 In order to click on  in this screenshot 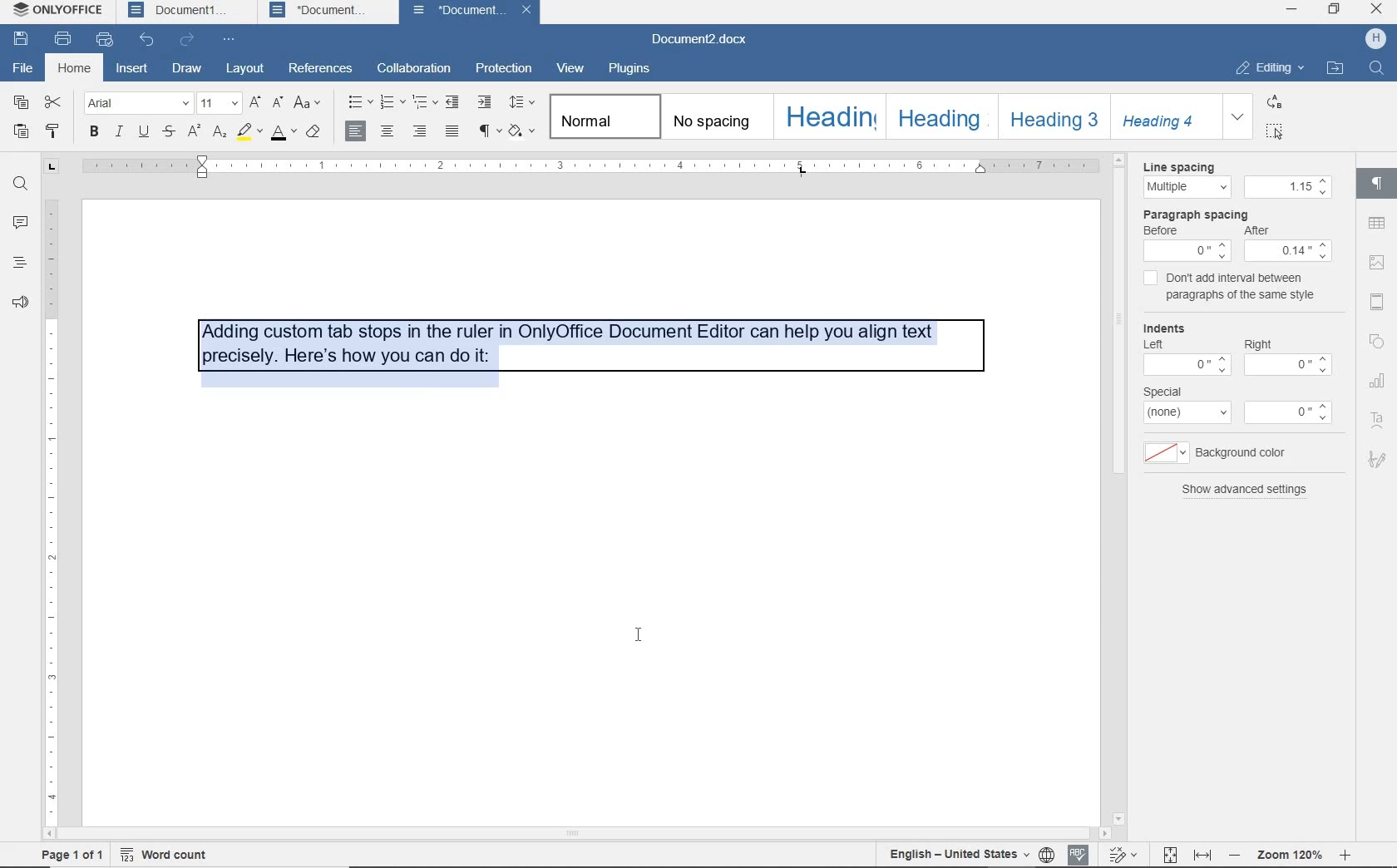, I will do `click(1189, 250)`.